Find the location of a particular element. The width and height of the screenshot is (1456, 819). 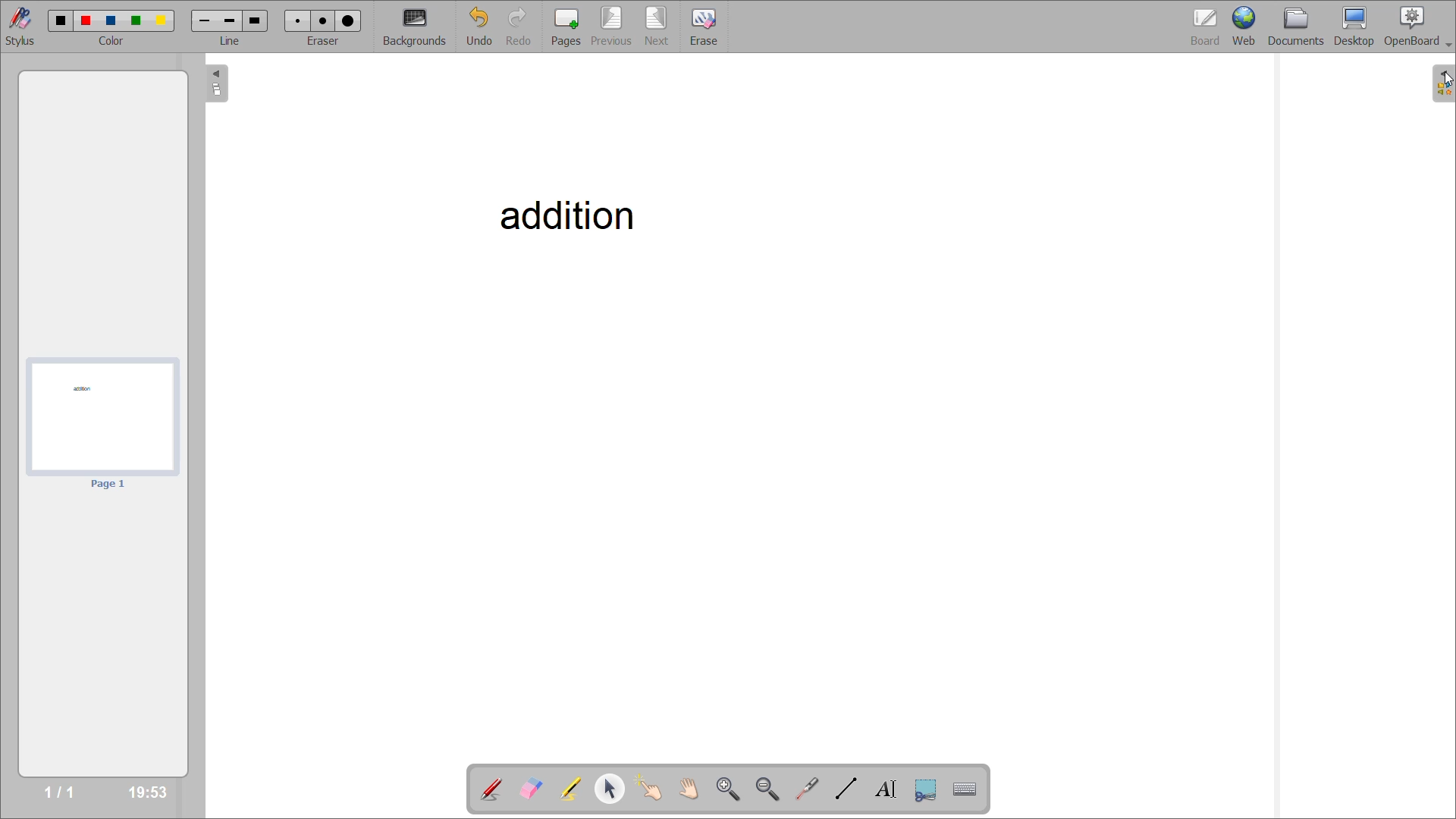

line 2 is located at coordinates (230, 23).